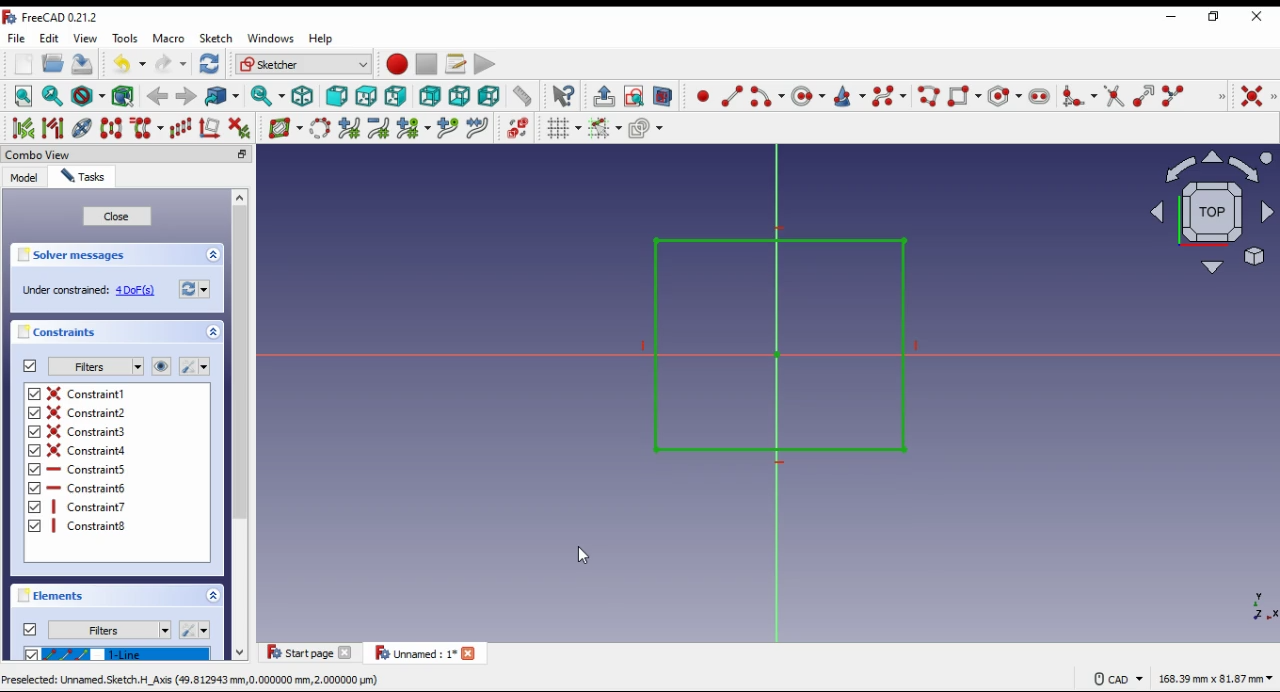 The height and width of the screenshot is (692, 1280). I want to click on stop macro recording, so click(426, 64).